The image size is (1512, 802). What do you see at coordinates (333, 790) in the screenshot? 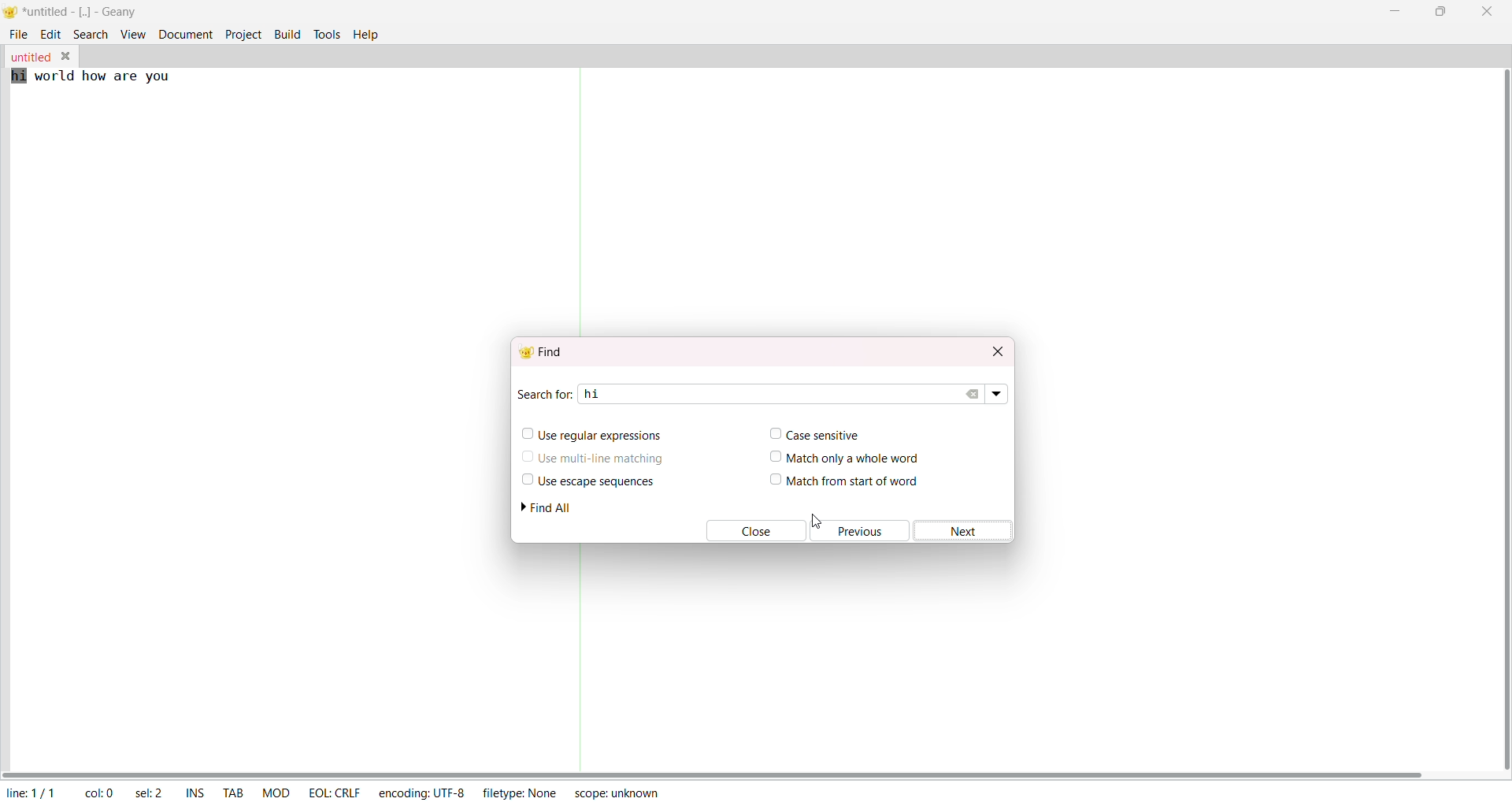
I see `eol: crlf` at bounding box center [333, 790].